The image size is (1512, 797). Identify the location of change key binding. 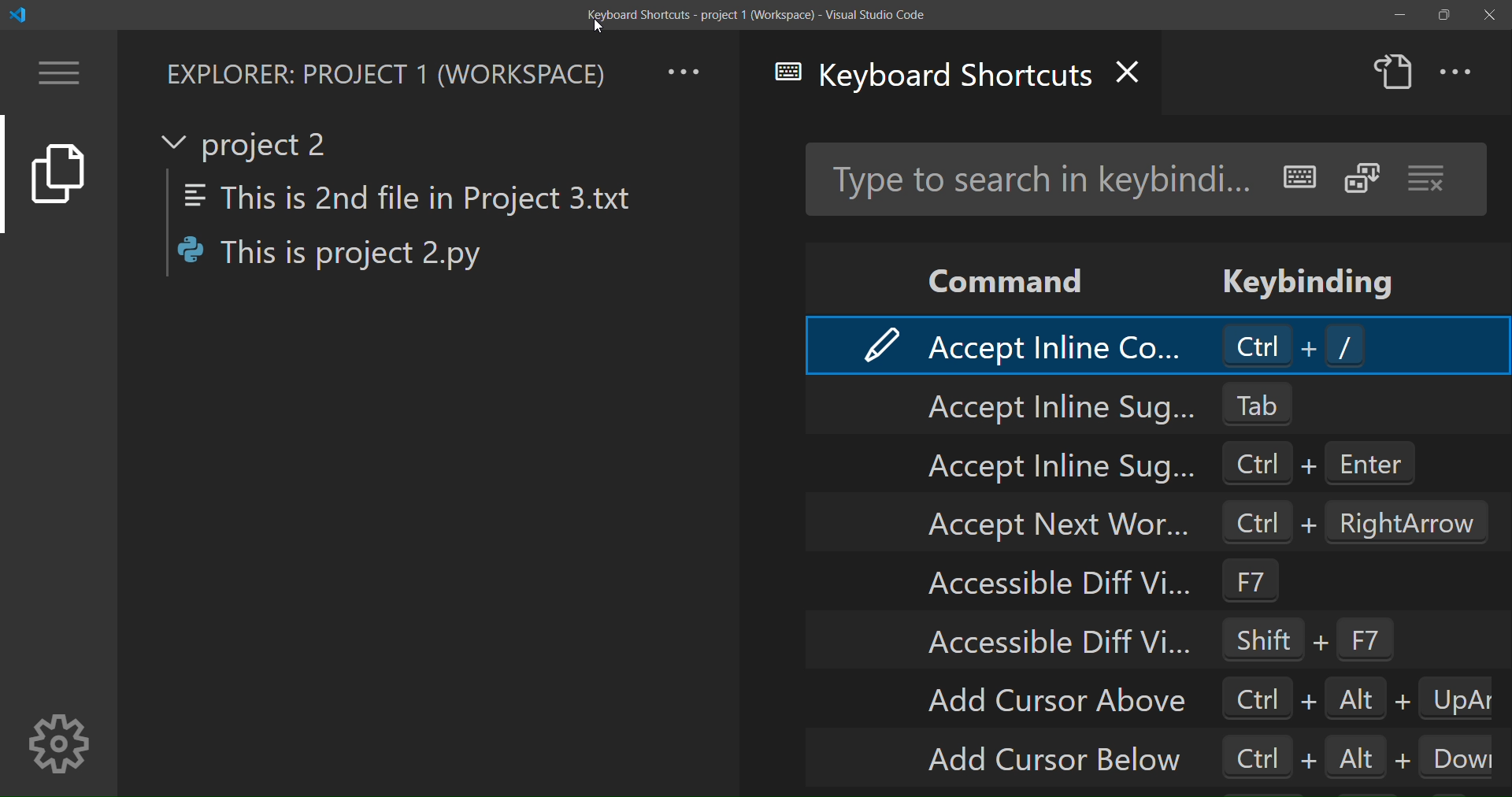
(878, 344).